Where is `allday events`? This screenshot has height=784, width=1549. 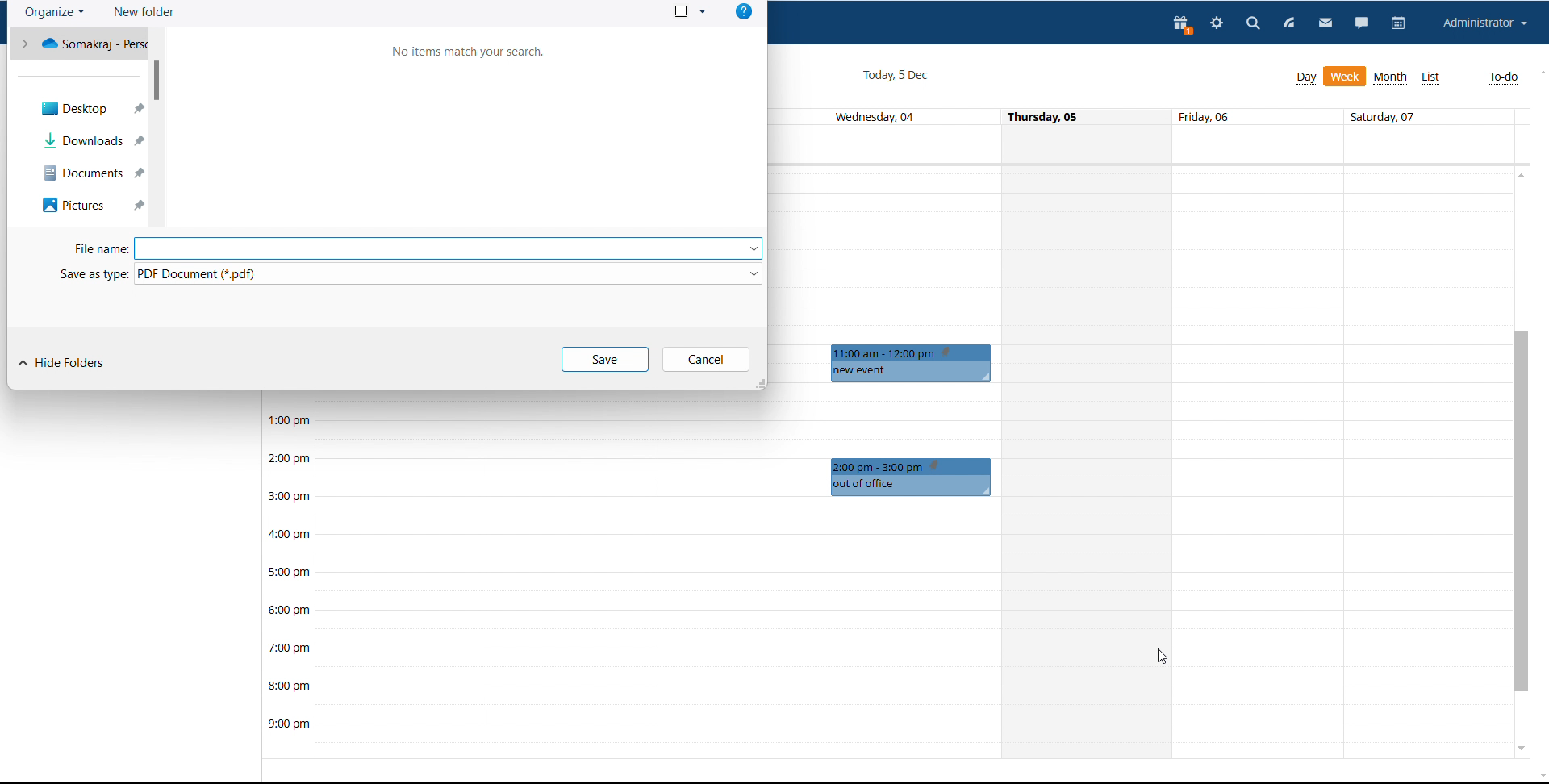 allday events is located at coordinates (1146, 144).